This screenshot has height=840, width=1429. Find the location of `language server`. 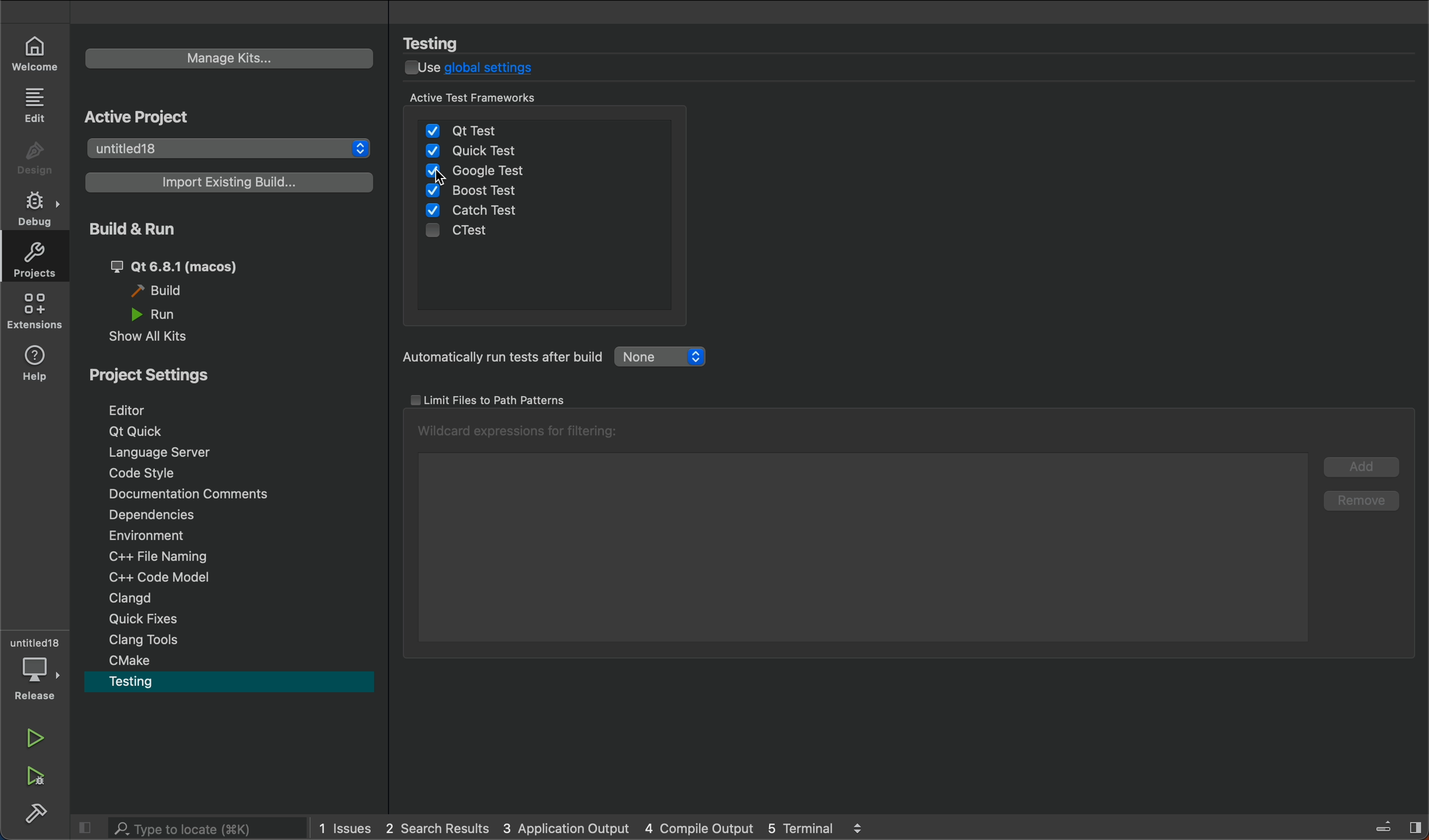

language server is located at coordinates (224, 455).